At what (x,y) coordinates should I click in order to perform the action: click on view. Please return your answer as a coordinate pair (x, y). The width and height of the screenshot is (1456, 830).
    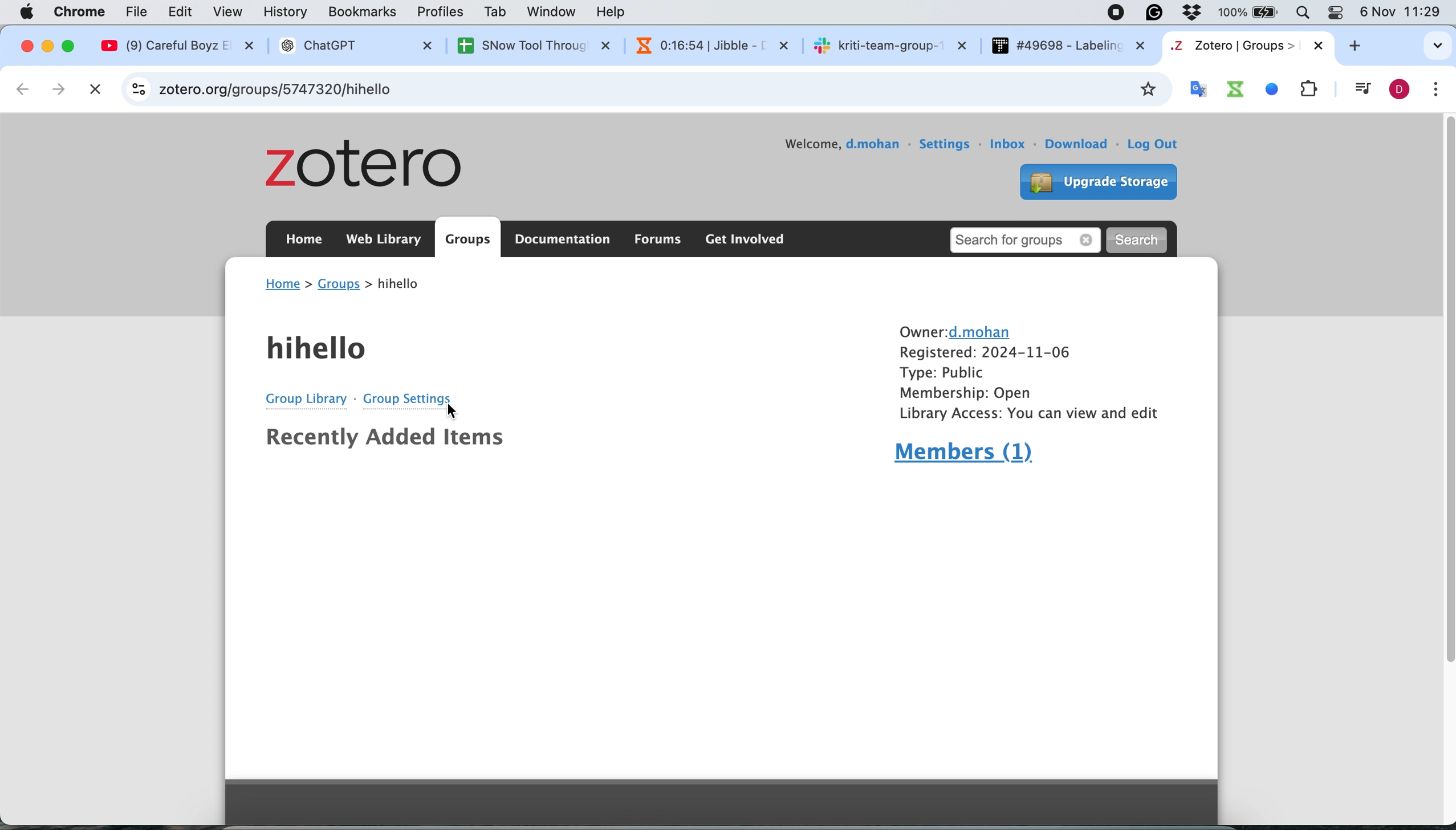
    Looking at the image, I should click on (230, 11).